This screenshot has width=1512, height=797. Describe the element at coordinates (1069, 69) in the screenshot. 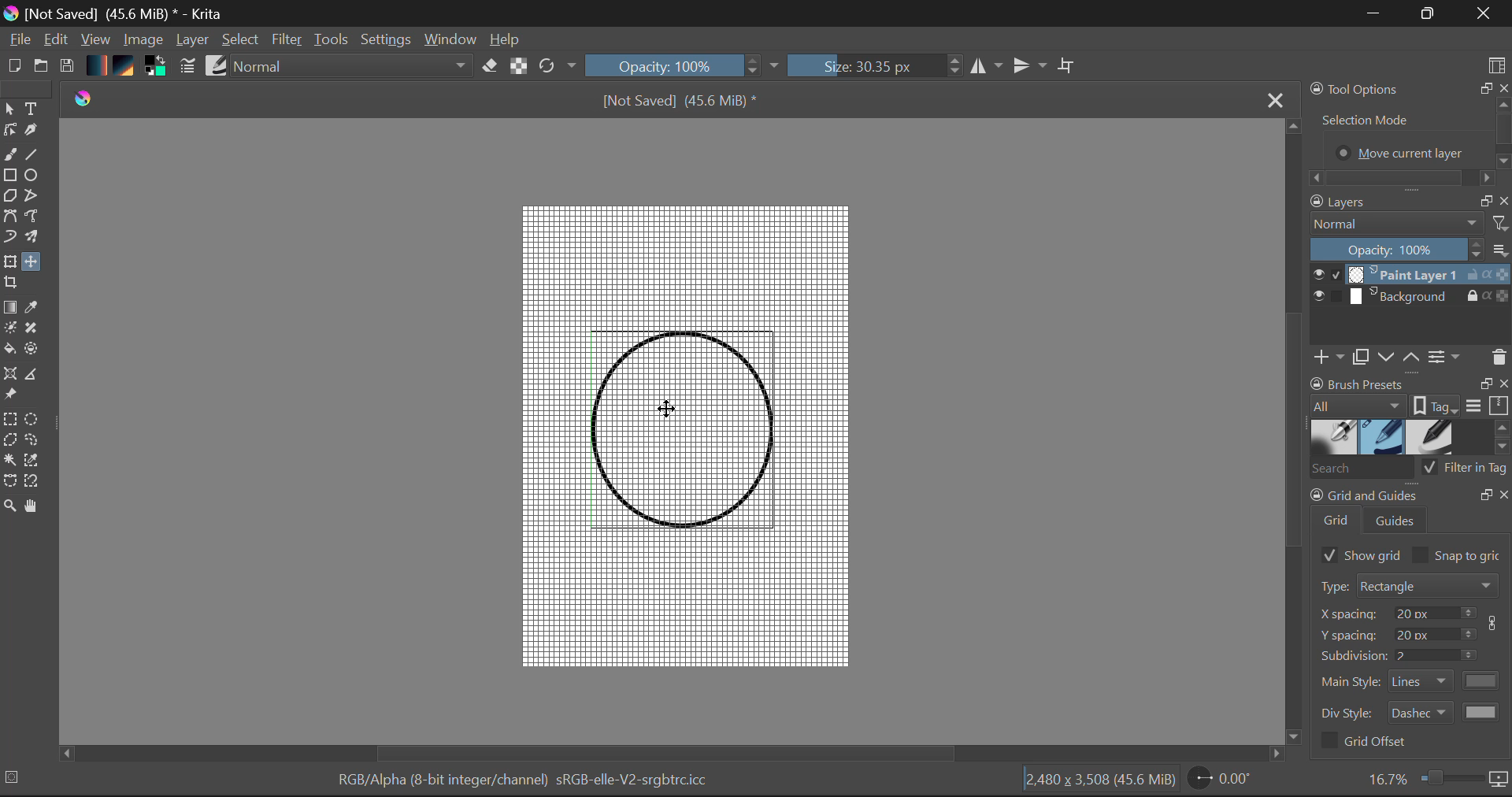

I see `Crop` at that location.